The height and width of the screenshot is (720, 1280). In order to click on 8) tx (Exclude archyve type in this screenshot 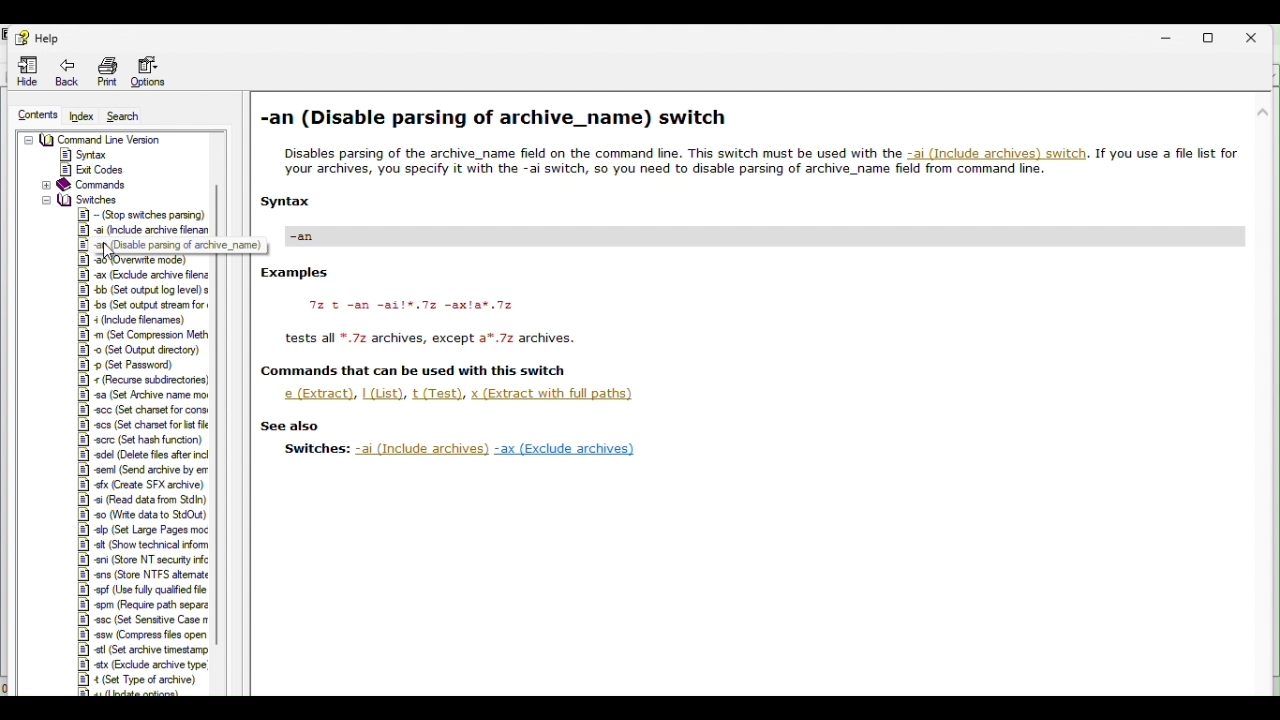, I will do `click(140, 664)`.